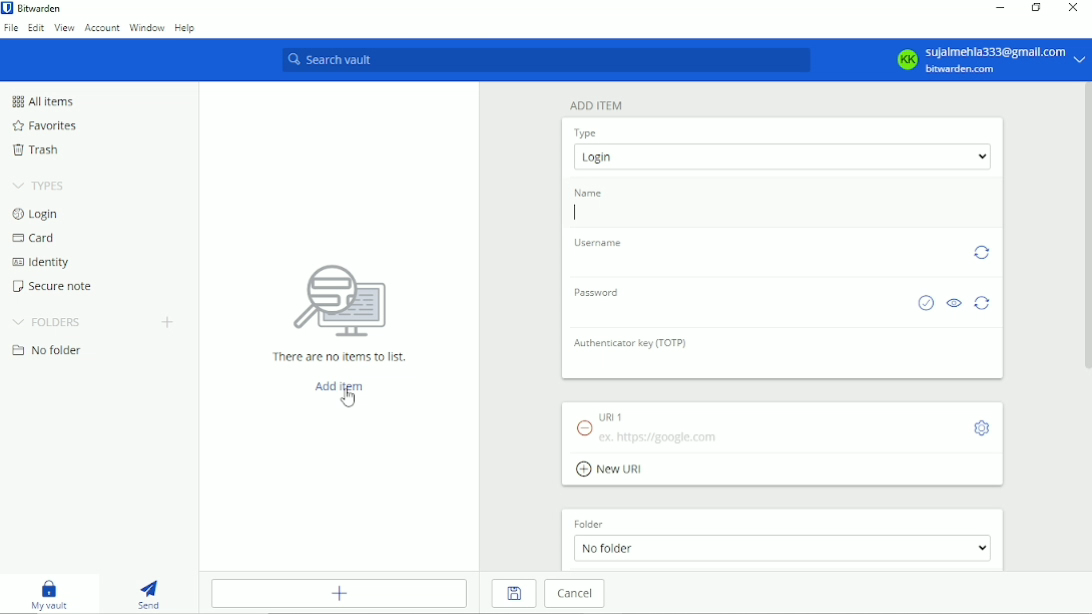  I want to click on Name, so click(588, 191).